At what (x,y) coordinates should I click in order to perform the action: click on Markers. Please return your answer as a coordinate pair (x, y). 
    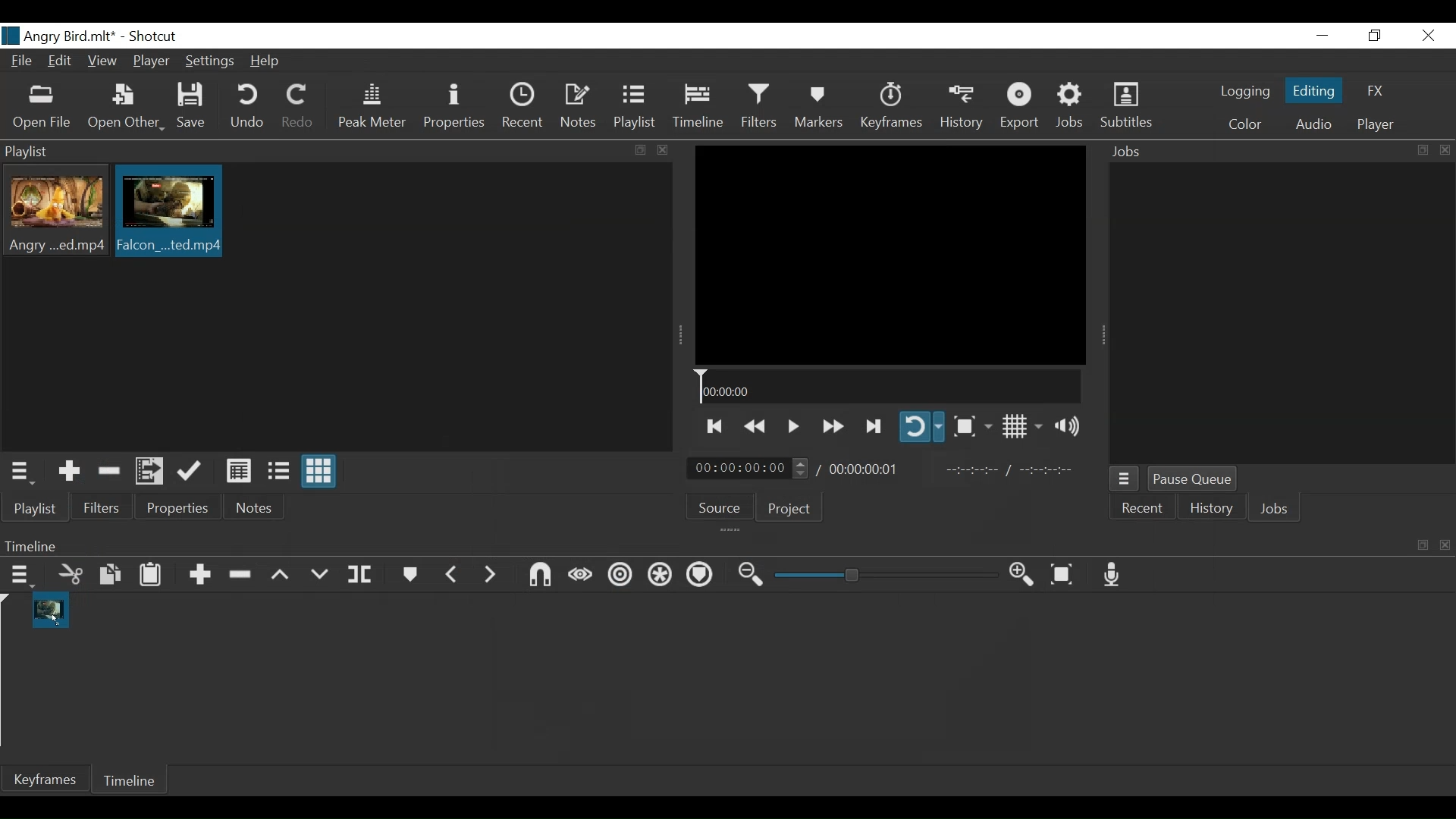
    Looking at the image, I should click on (818, 106).